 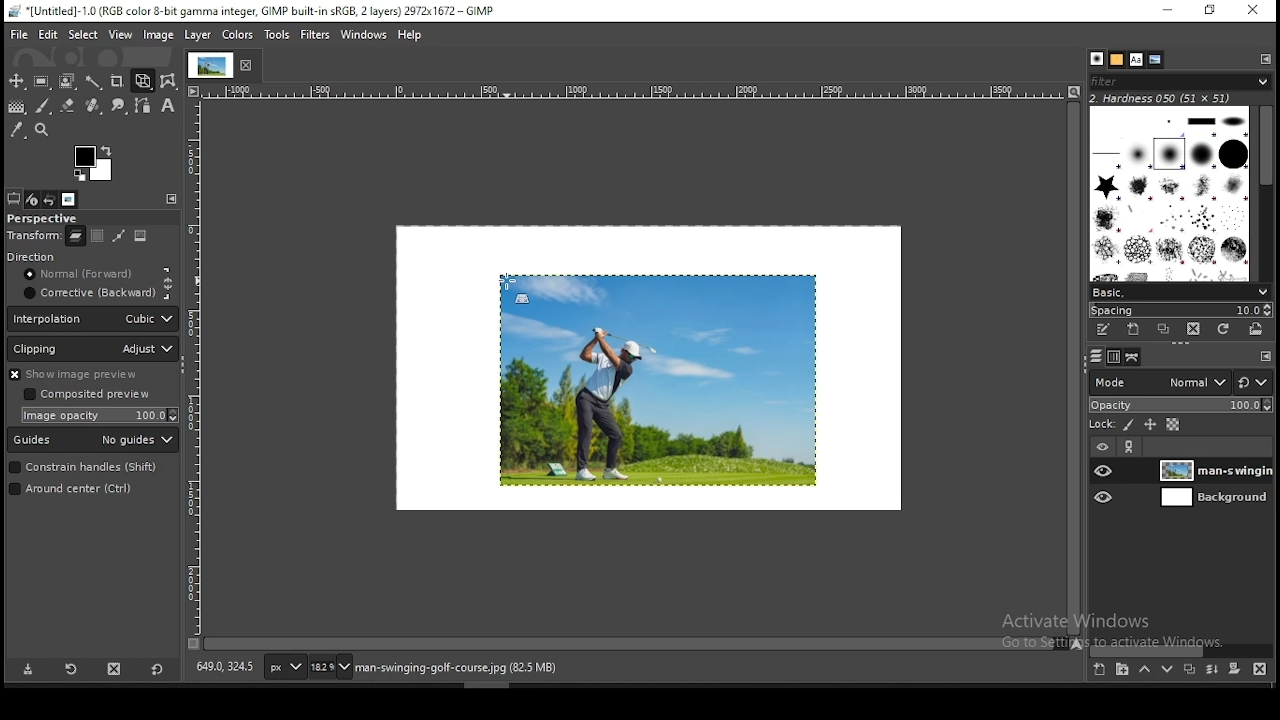 What do you see at coordinates (1179, 309) in the screenshot?
I see `spacing` at bounding box center [1179, 309].